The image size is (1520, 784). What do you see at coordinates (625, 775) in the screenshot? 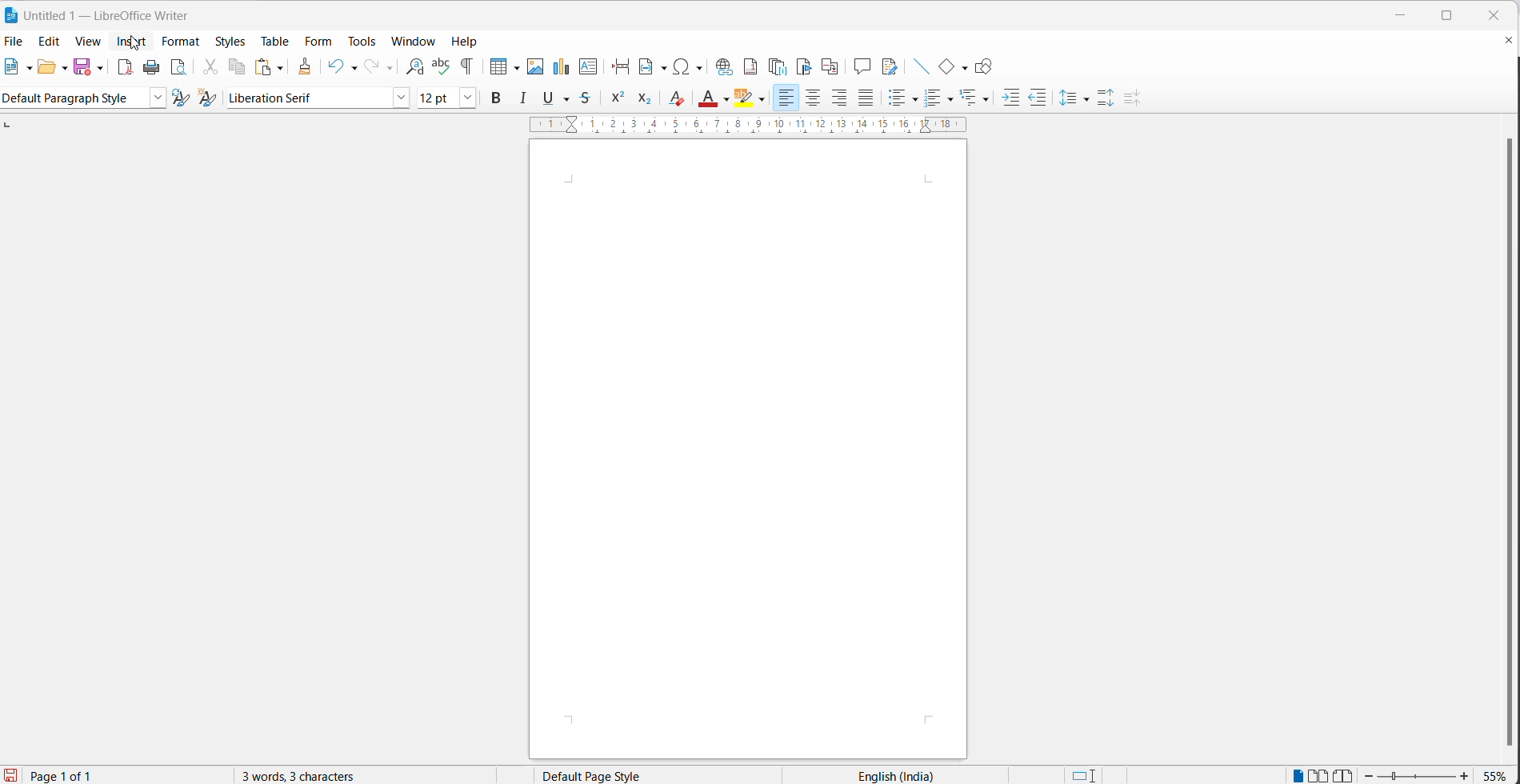
I see `page style` at bounding box center [625, 775].